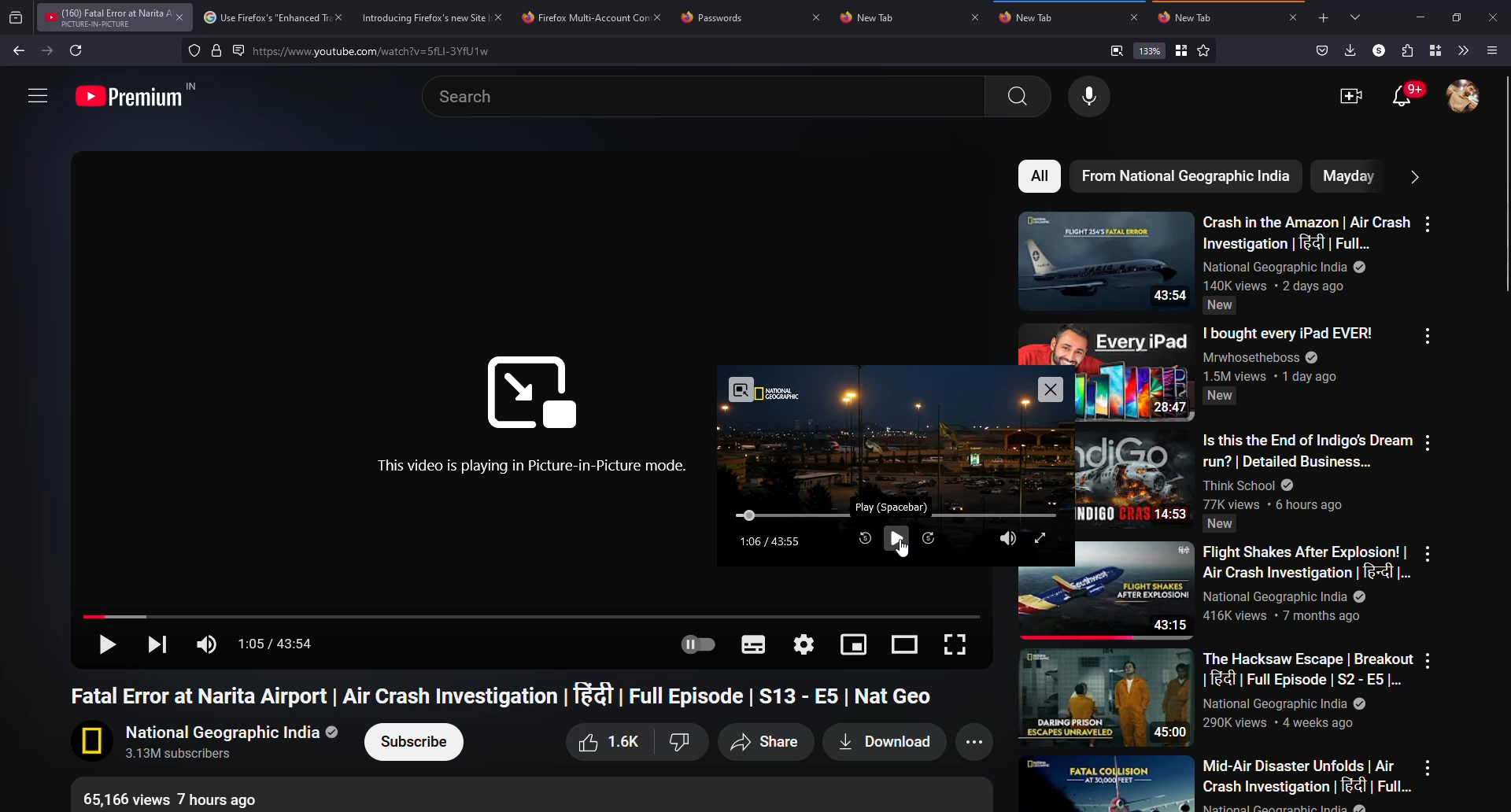 This screenshot has width=1511, height=812. What do you see at coordinates (420, 17) in the screenshot?
I see `Introducing Firefox tab` at bounding box center [420, 17].